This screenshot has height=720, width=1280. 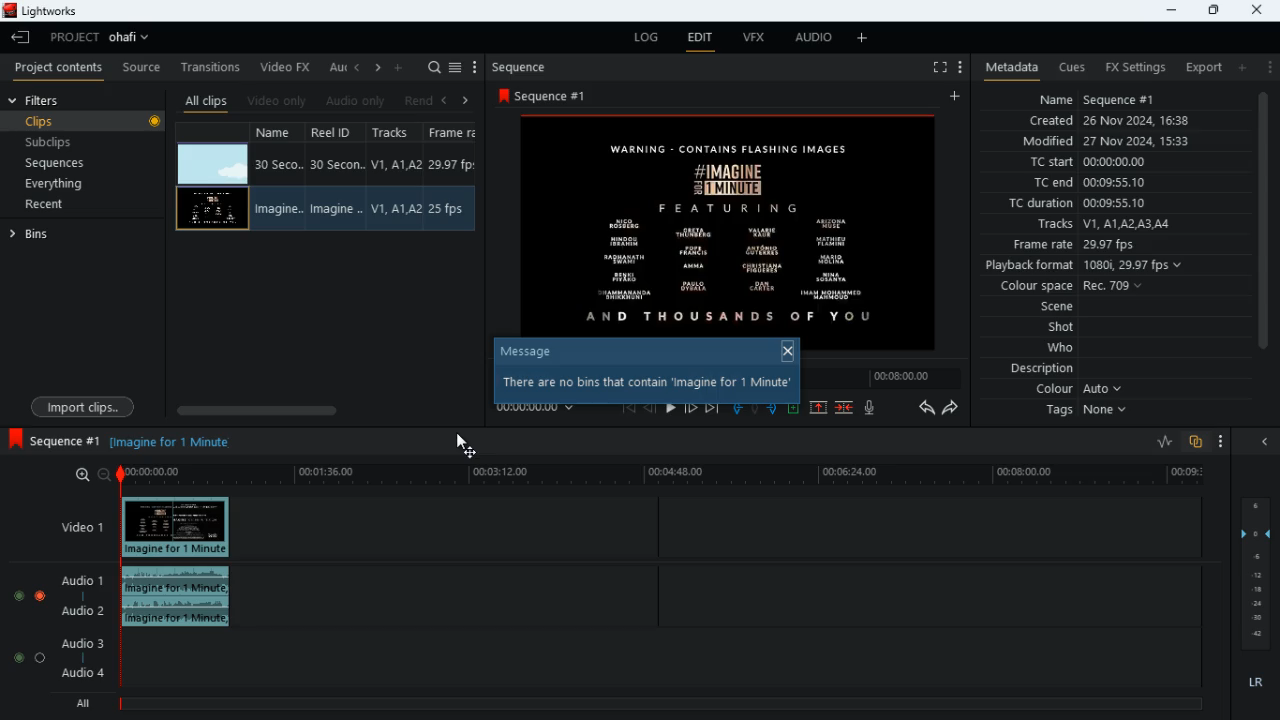 I want to click on modified, so click(x=1106, y=141).